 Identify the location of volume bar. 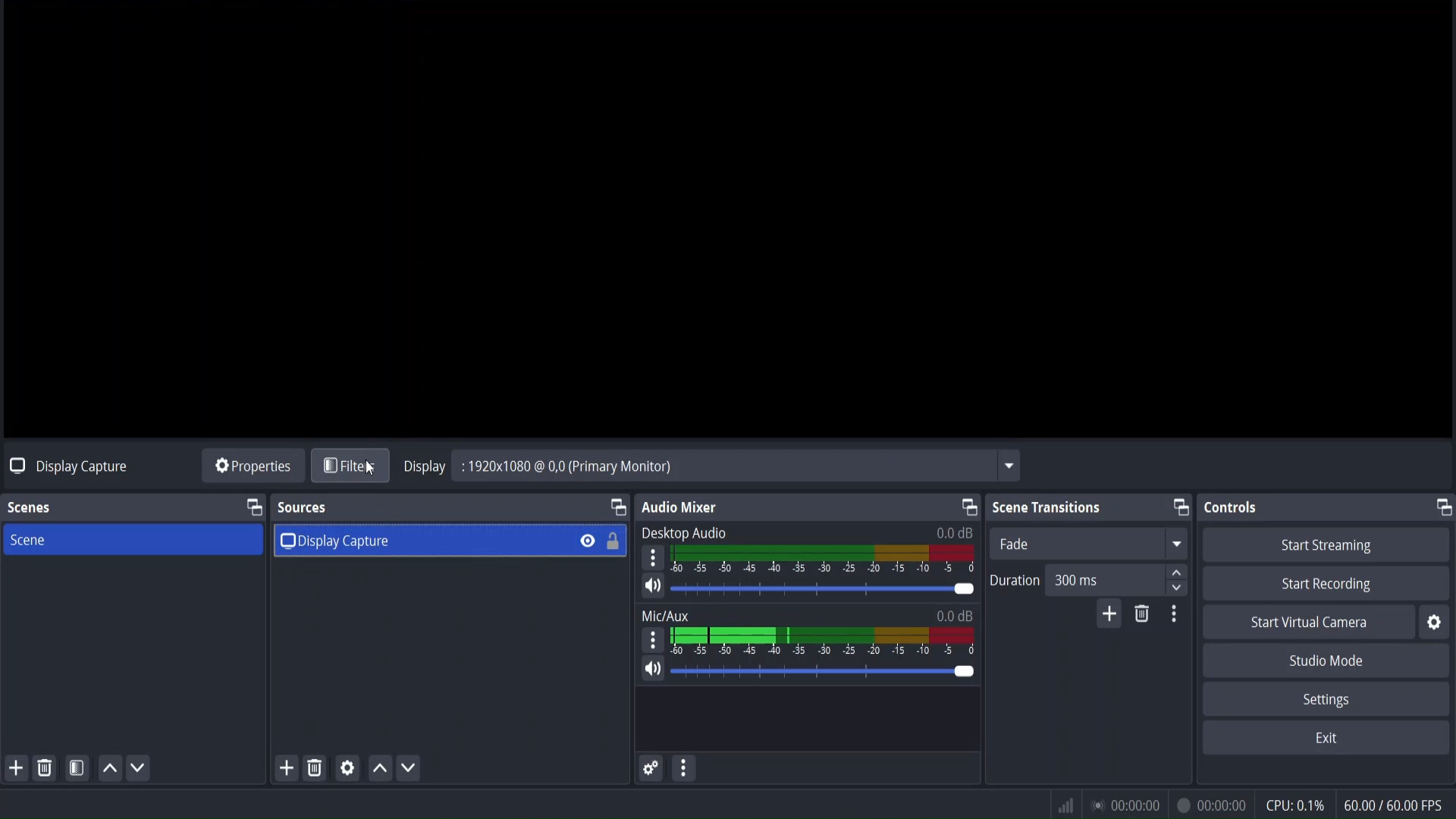
(825, 671).